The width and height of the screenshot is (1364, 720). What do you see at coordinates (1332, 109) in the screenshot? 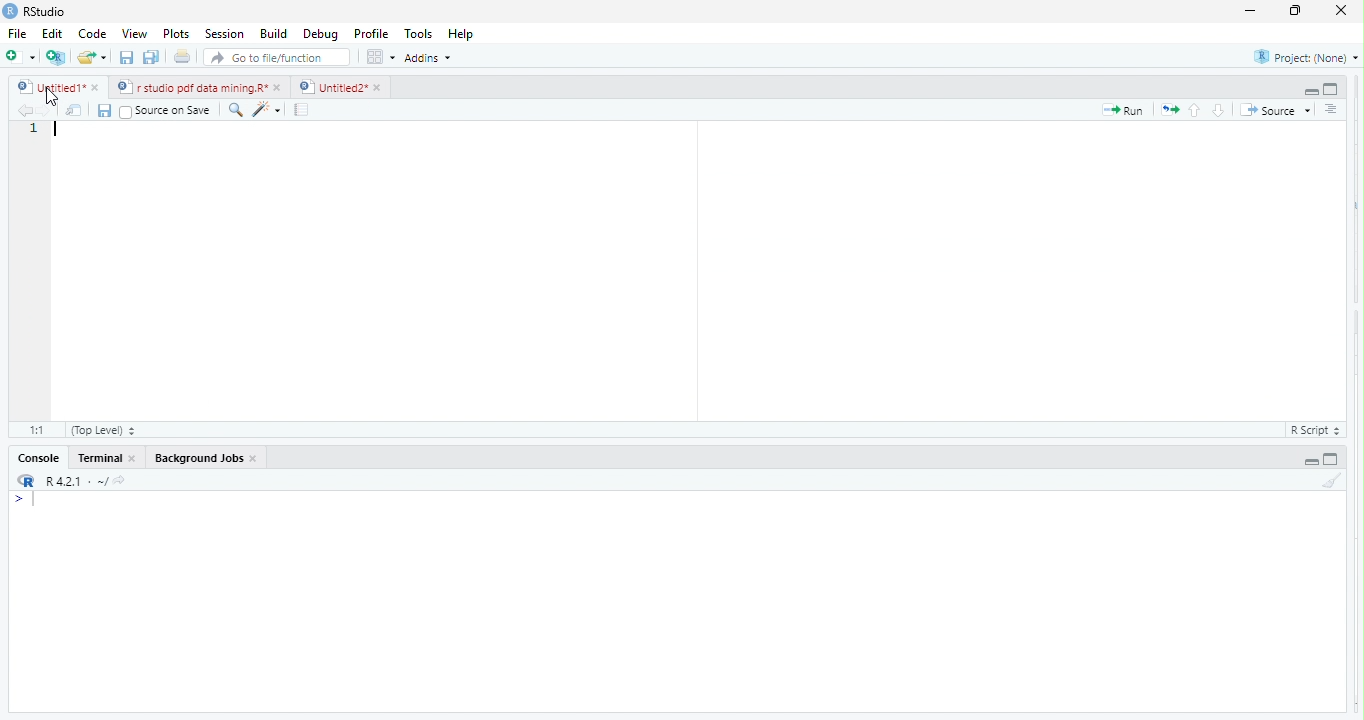
I see `show document outline` at bounding box center [1332, 109].